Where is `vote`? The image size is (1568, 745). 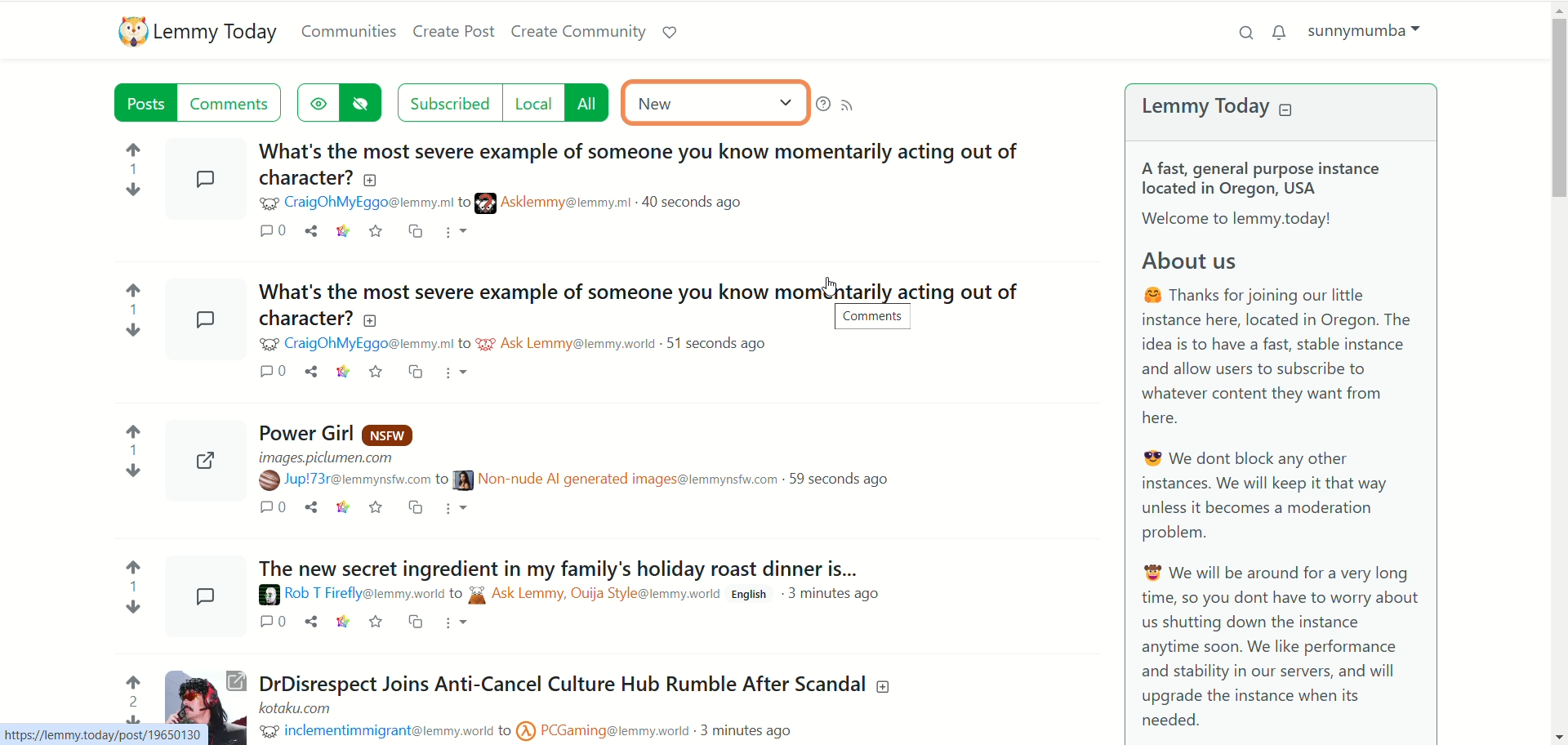 vote is located at coordinates (131, 445).